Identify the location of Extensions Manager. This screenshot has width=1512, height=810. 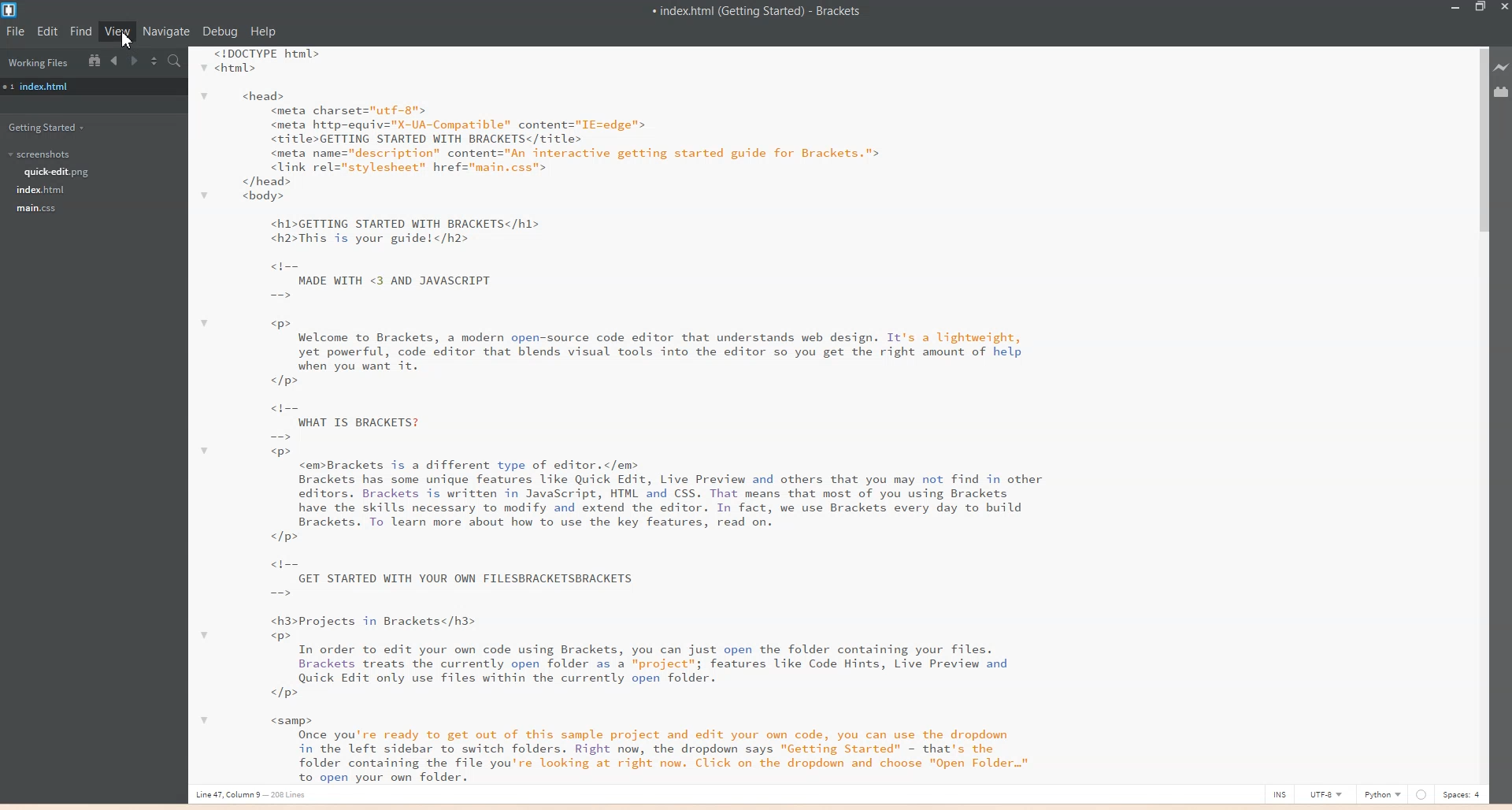
(1502, 92).